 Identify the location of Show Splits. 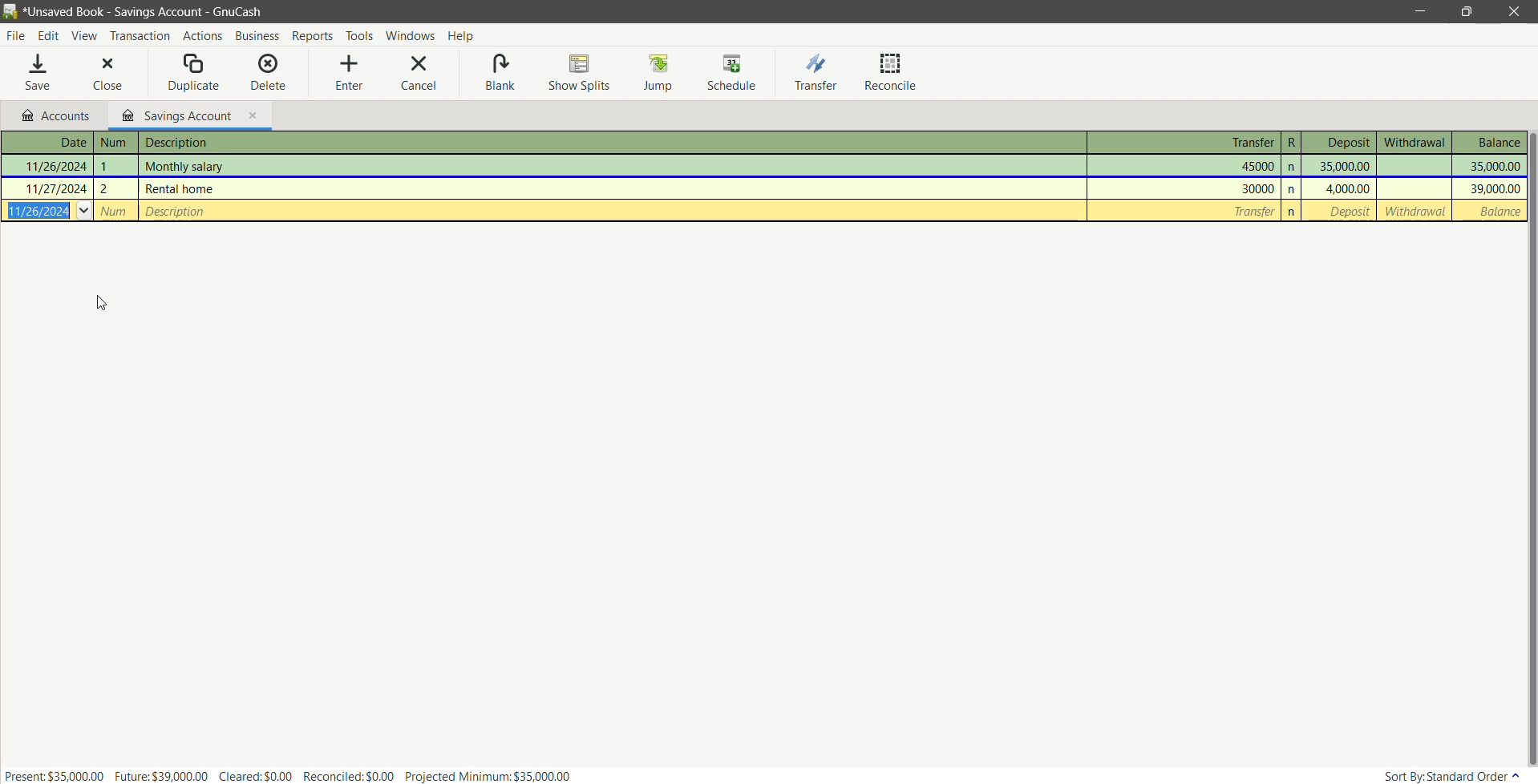
(578, 71).